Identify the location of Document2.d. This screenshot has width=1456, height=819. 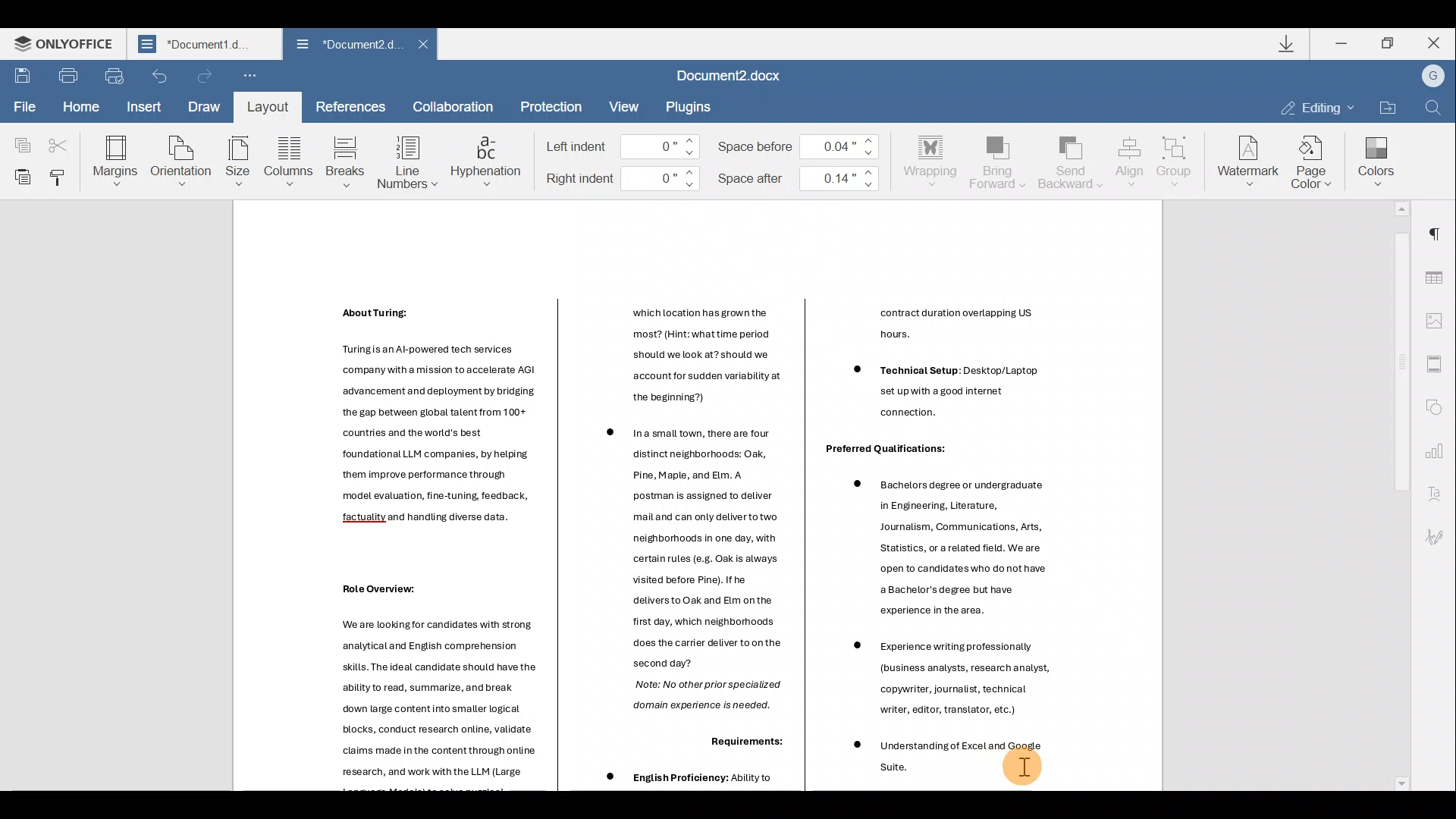
(204, 48).